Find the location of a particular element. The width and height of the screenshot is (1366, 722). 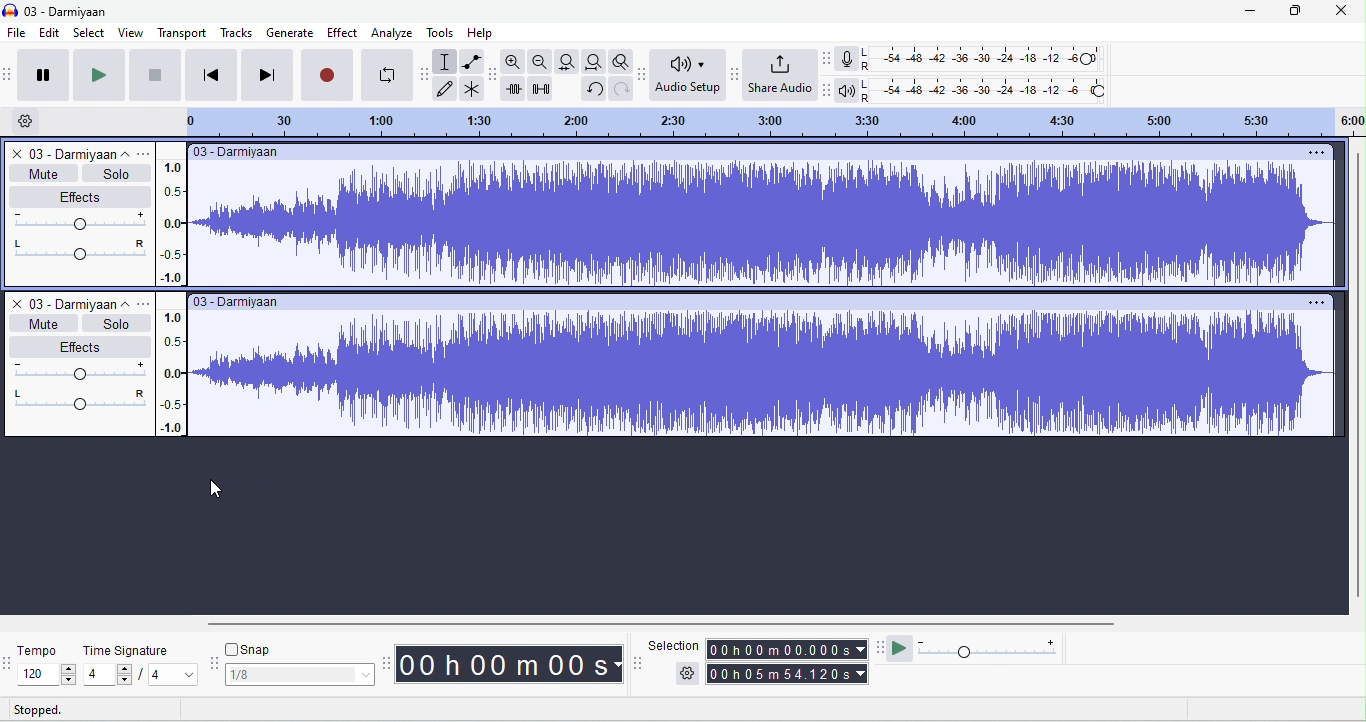

redo is located at coordinates (622, 88).